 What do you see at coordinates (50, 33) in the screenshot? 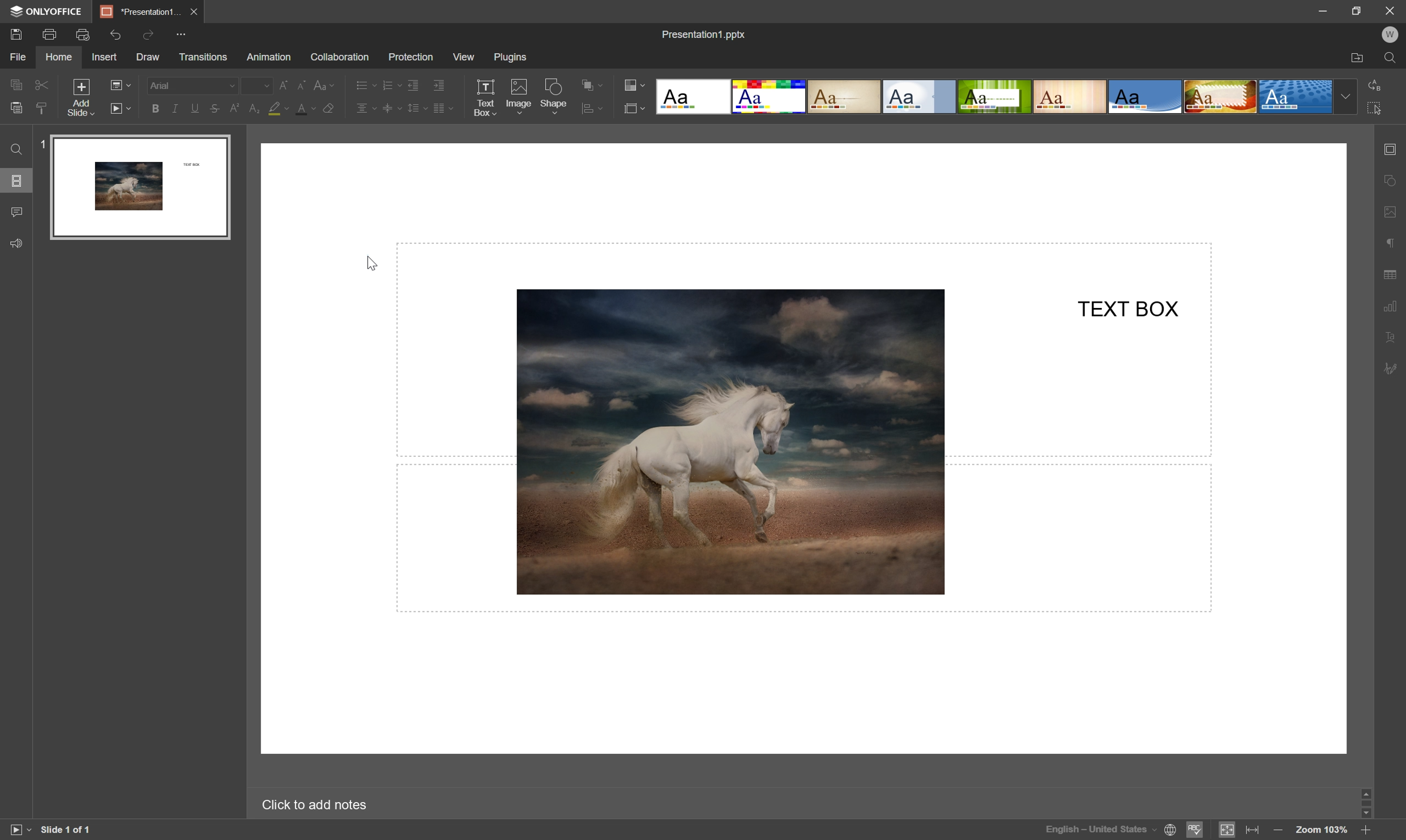
I see `print` at bounding box center [50, 33].